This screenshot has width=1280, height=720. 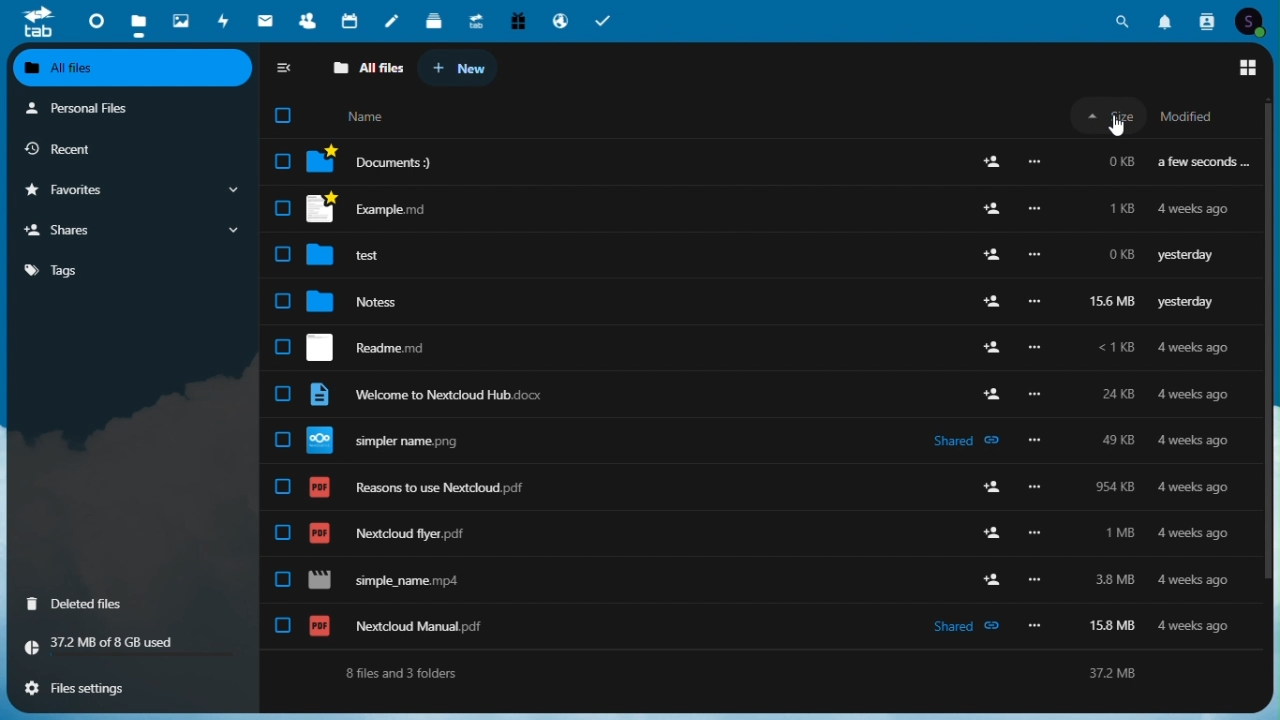 I want to click on New, so click(x=461, y=68).